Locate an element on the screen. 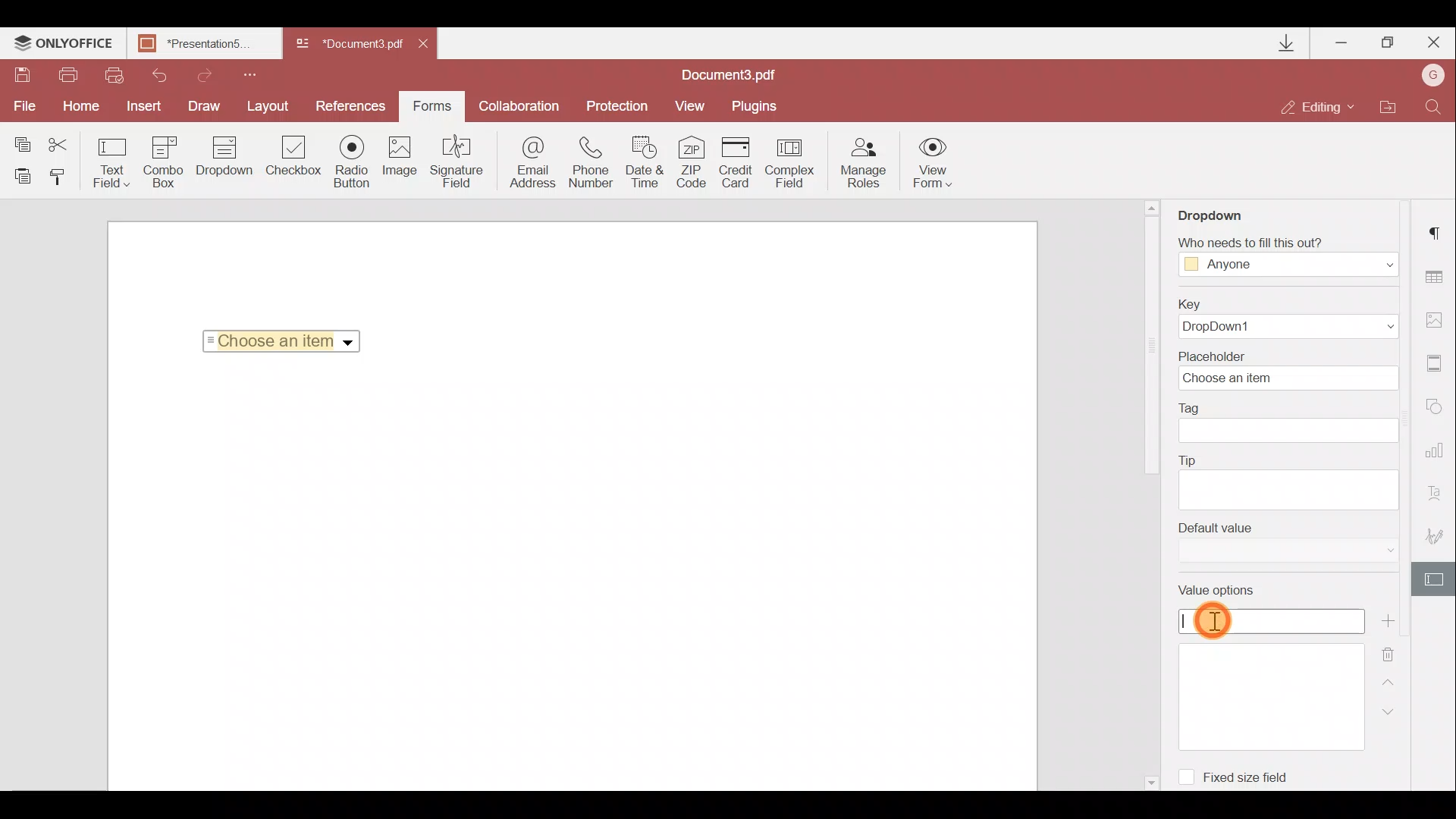  Protection is located at coordinates (615, 105).